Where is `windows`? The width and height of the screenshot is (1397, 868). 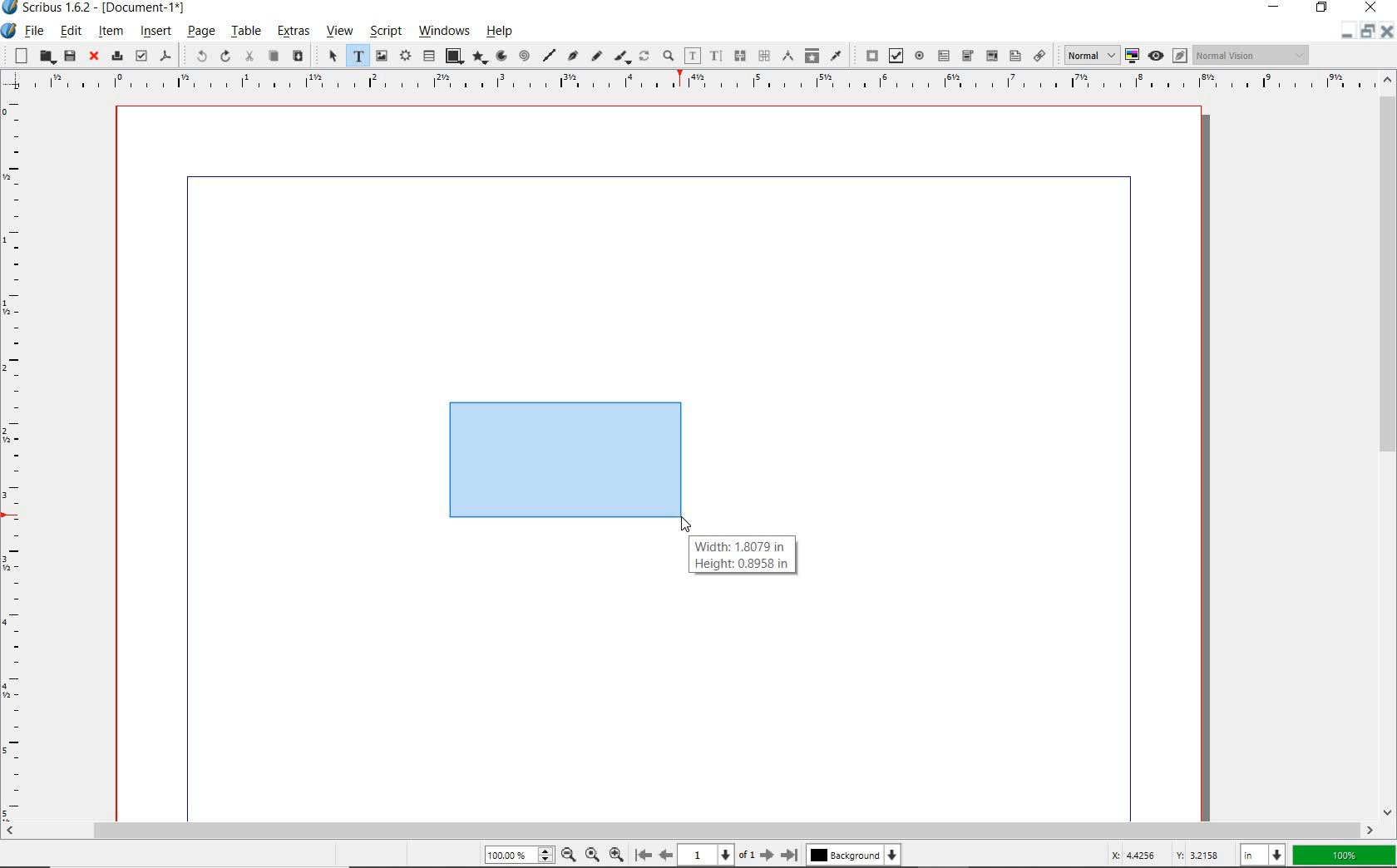
windows is located at coordinates (446, 32).